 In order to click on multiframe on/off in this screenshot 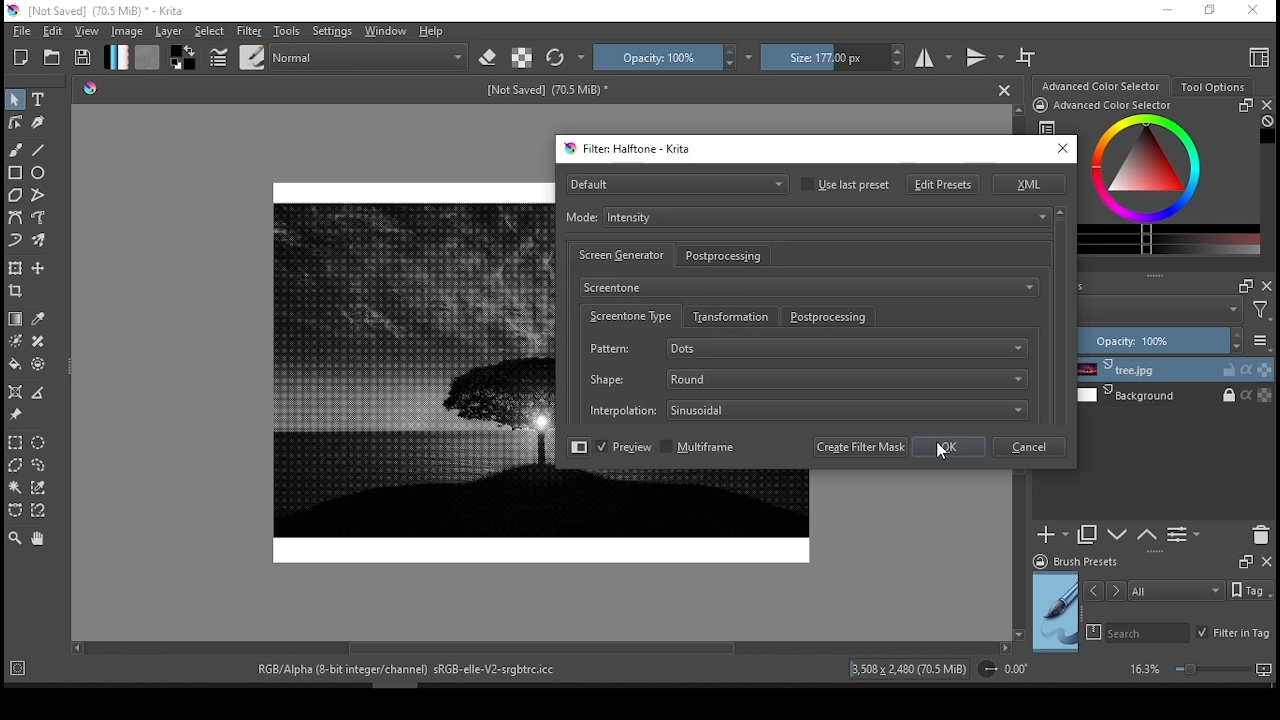, I will do `click(699, 448)`.